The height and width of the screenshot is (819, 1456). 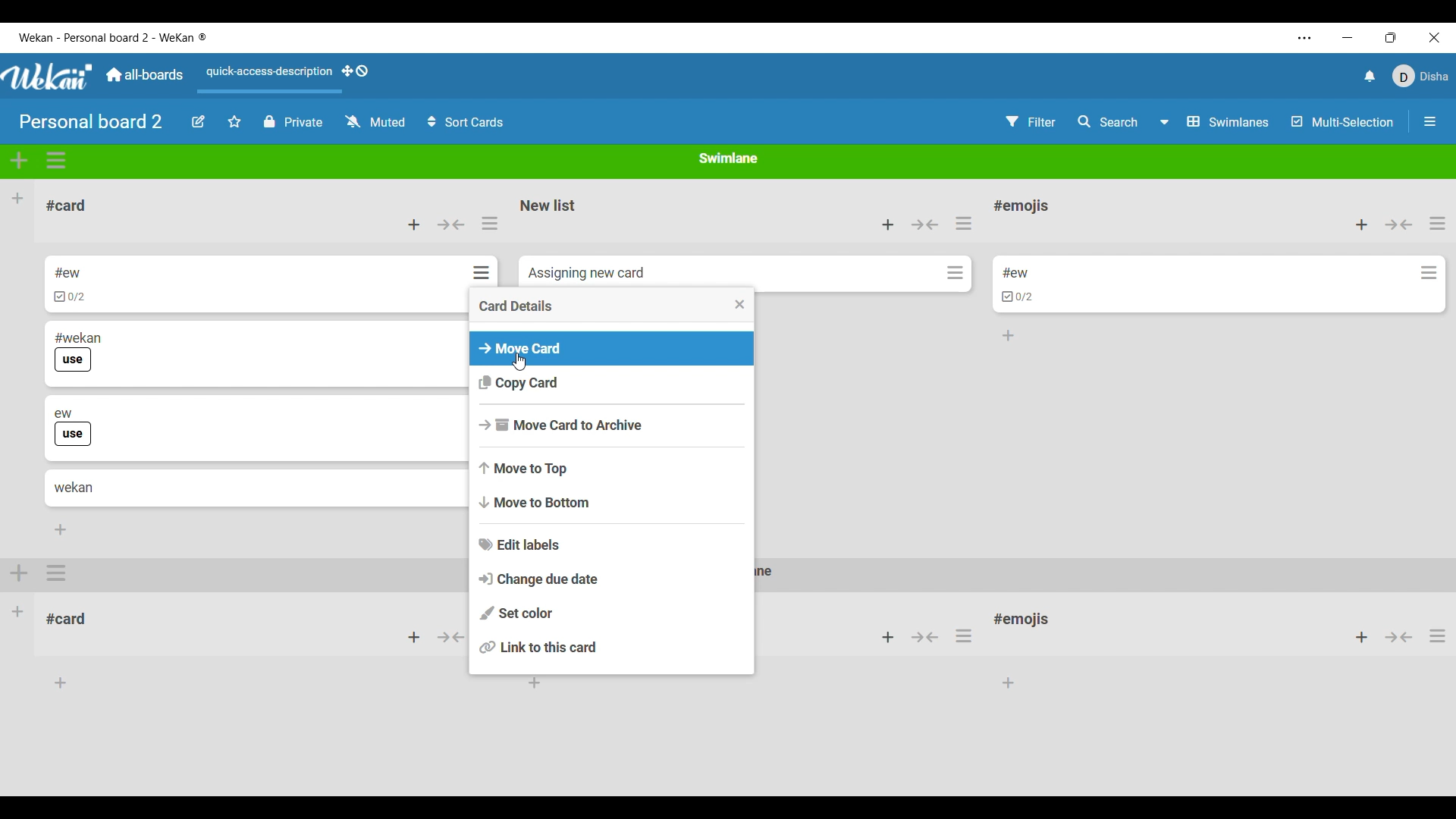 What do you see at coordinates (74, 428) in the screenshot?
I see `Card title and label` at bounding box center [74, 428].